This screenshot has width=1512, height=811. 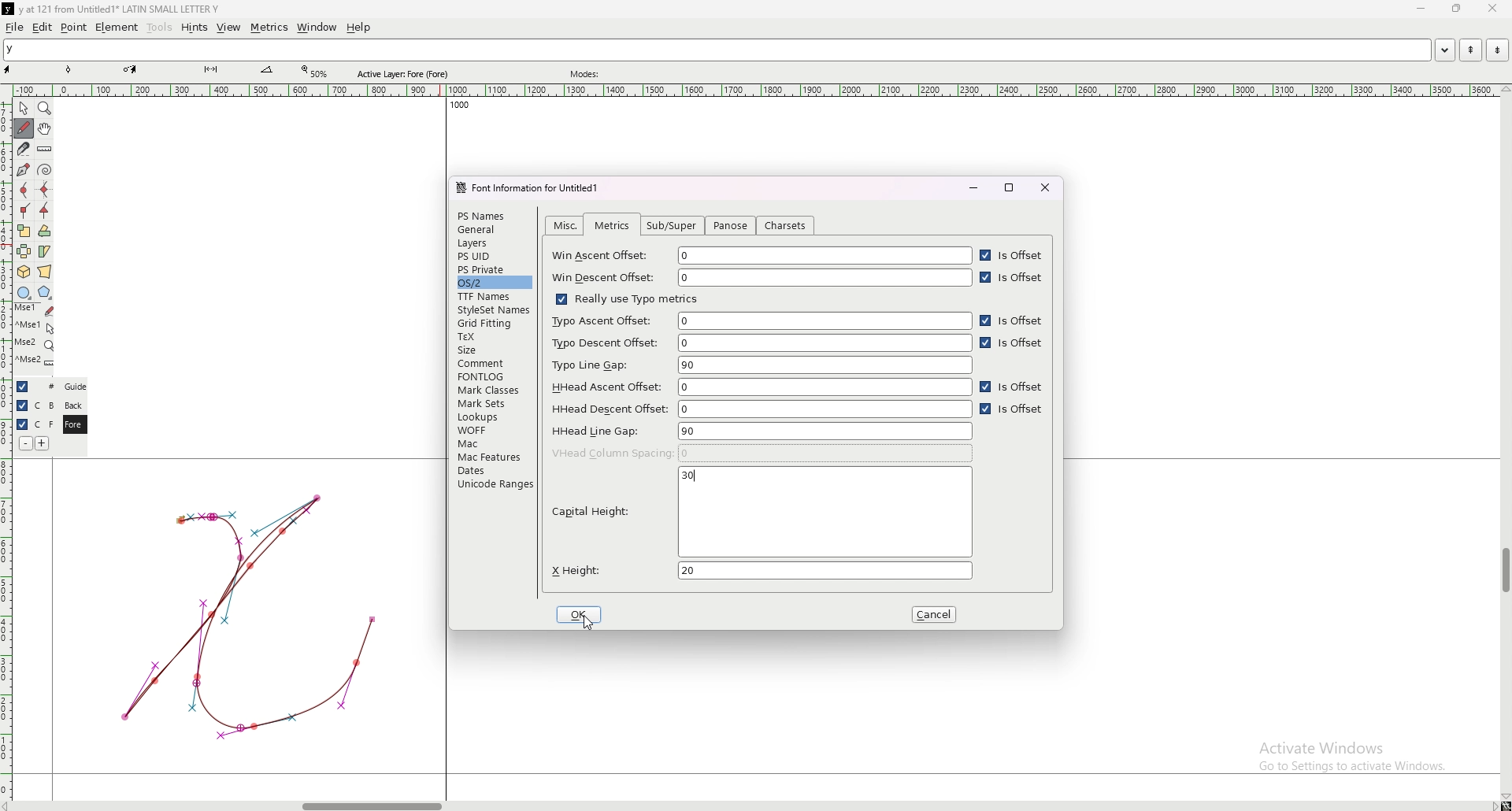 What do you see at coordinates (24, 292) in the screenshot?
I see `circle or ellipse` at bounding box center [24, 292].